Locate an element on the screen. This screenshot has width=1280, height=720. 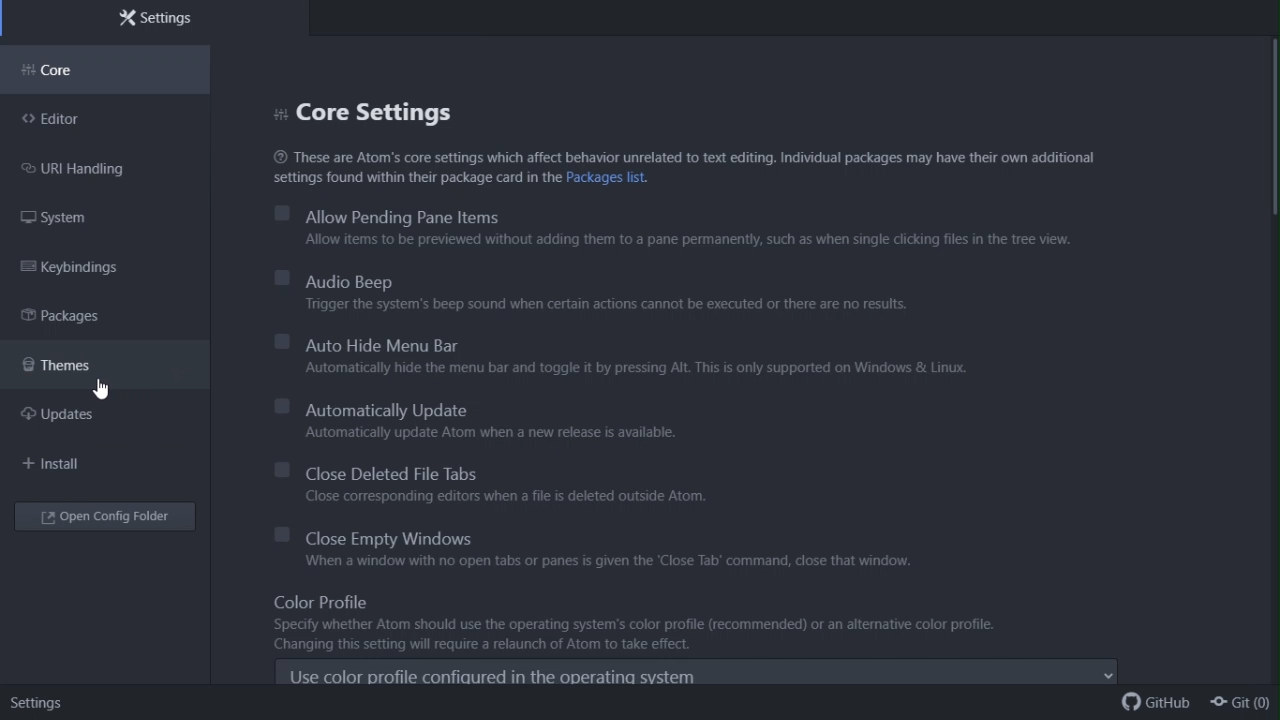
auto hide menu bar is located at coordinates (618, 355).